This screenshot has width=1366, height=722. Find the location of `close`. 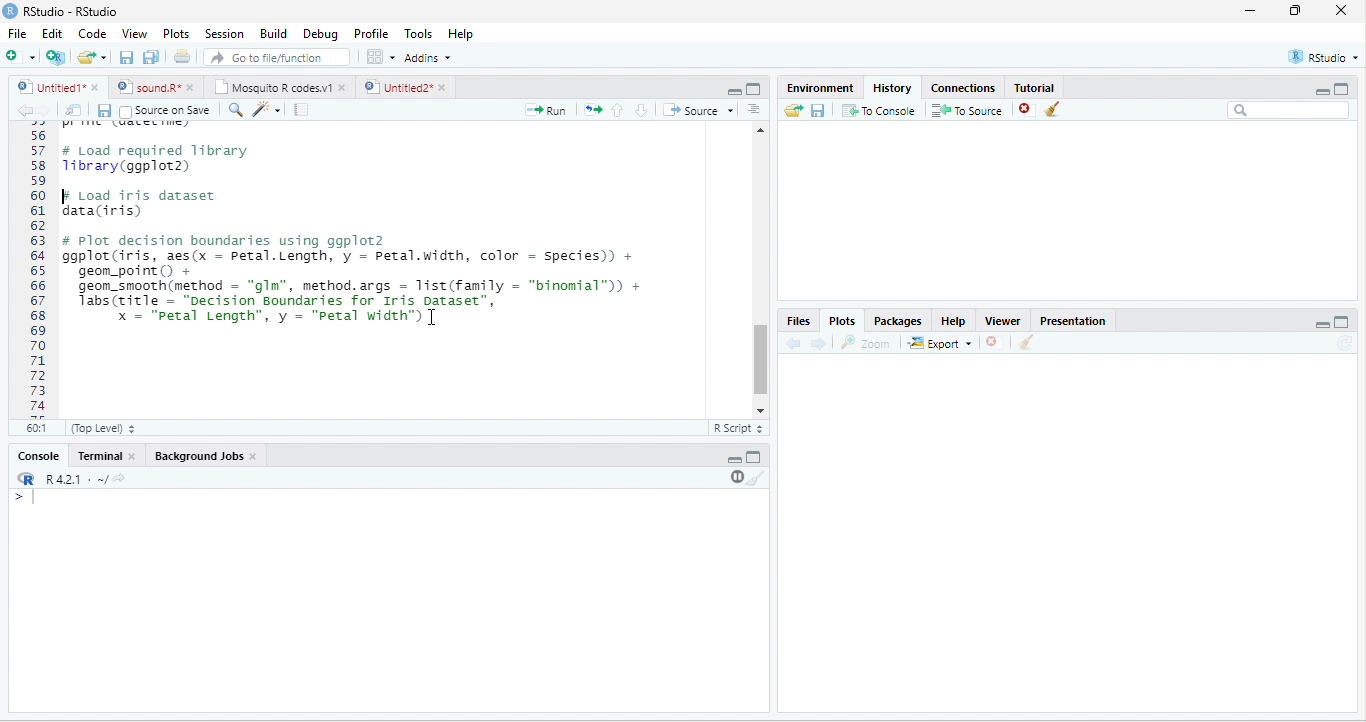

close is located at coordinates (344, 88).